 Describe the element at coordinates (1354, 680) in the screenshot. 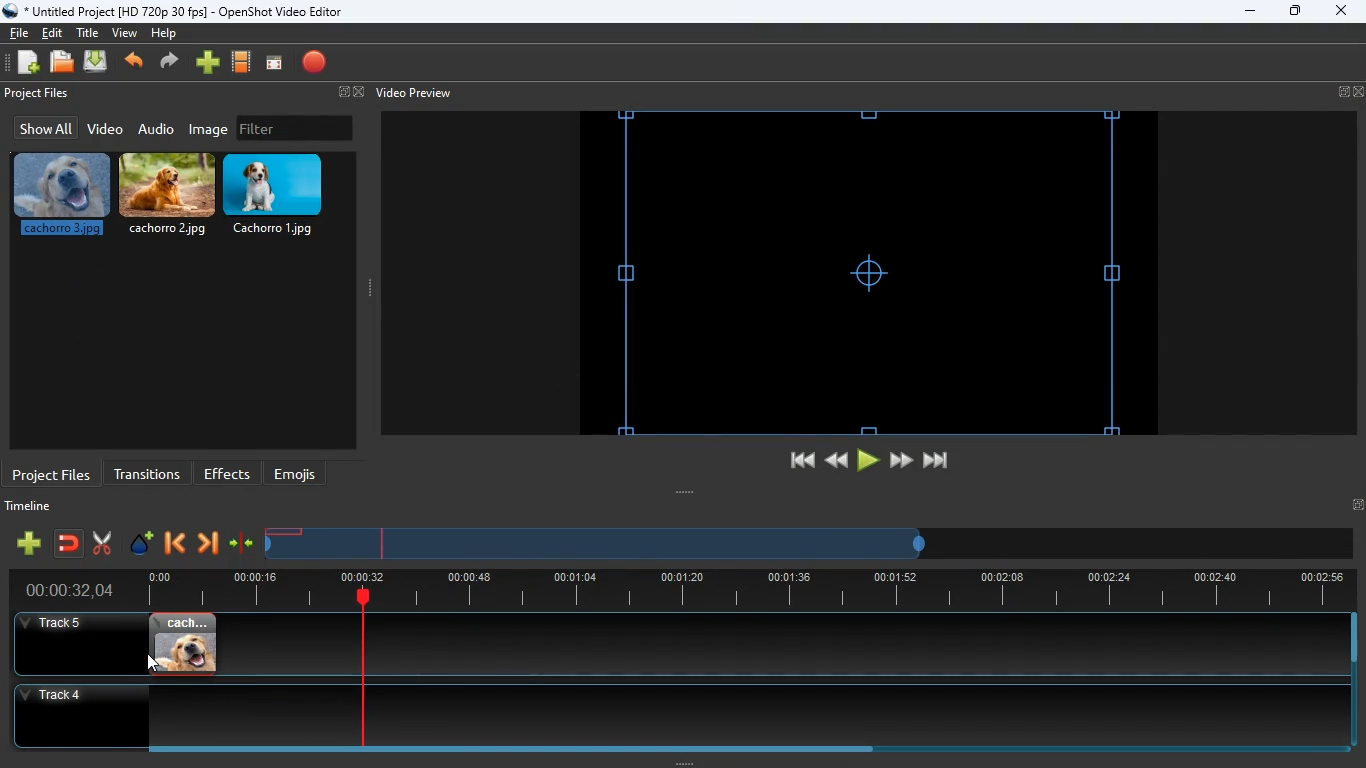

I see `Vertical slide bar` at that location.